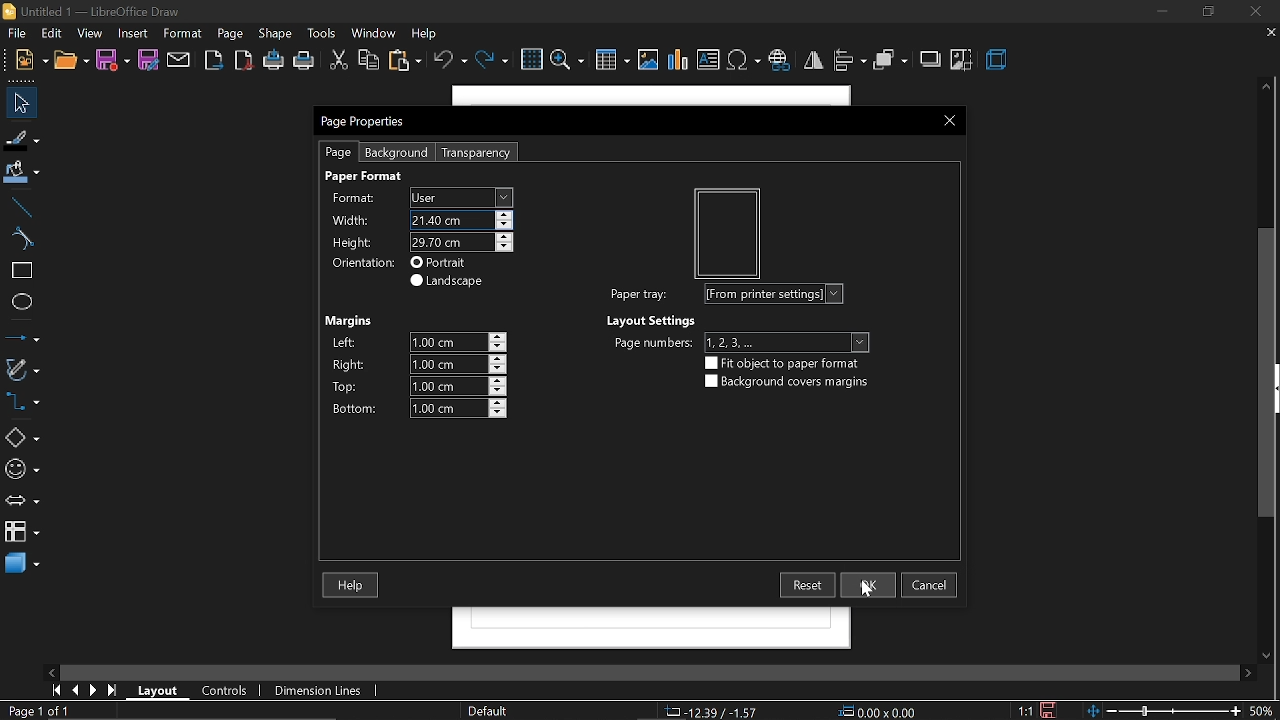 The image size is (1280, 720). Describe the element at coordinates (321, 33) in the screenshot. I see `tools` at that location.